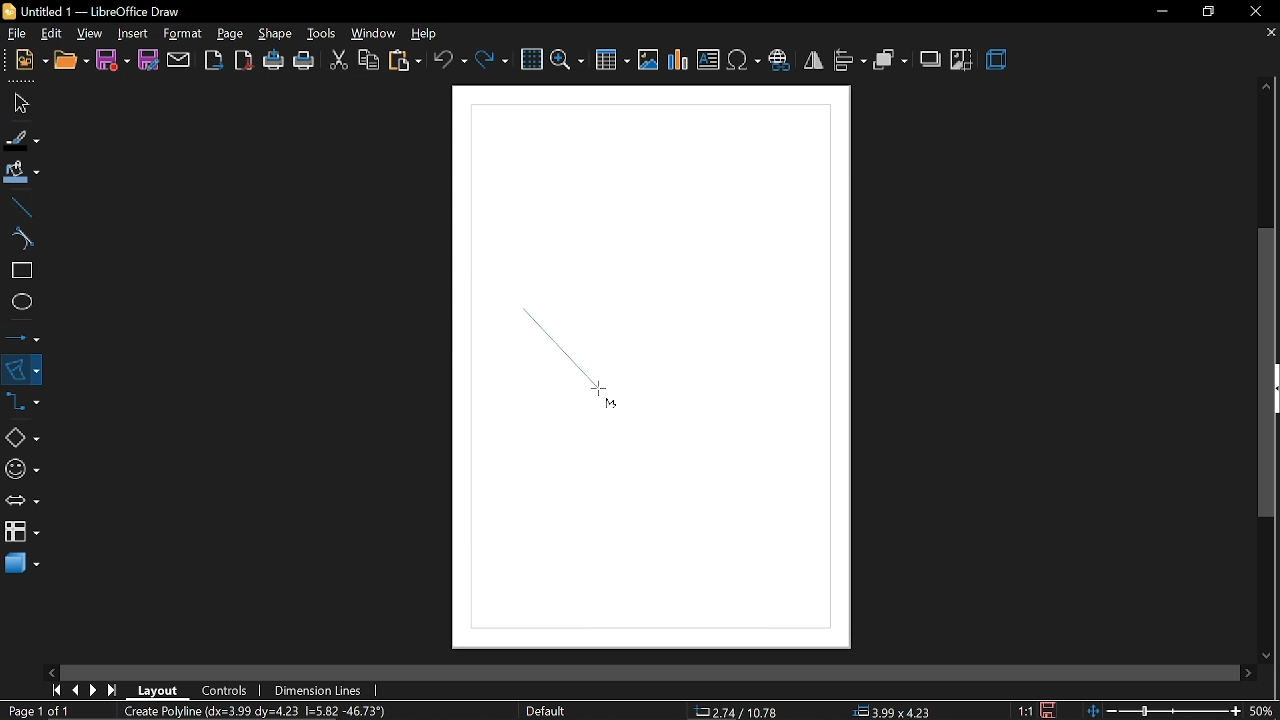 This screenshot has height=720, width=1280. I want to click on minimize, so click(1162, 12).